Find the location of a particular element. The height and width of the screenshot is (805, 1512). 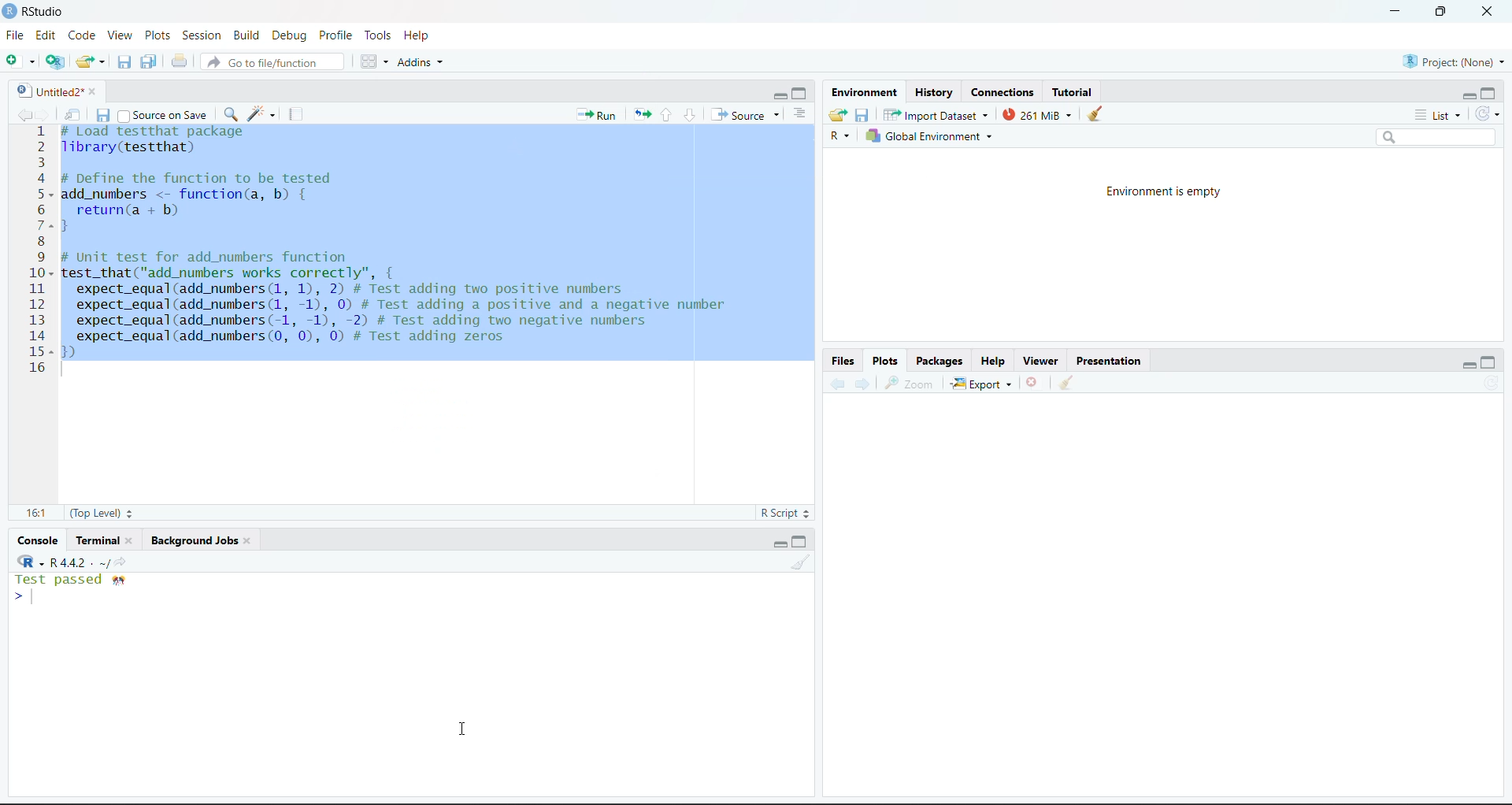

Session is located at coordinates (202, 35).